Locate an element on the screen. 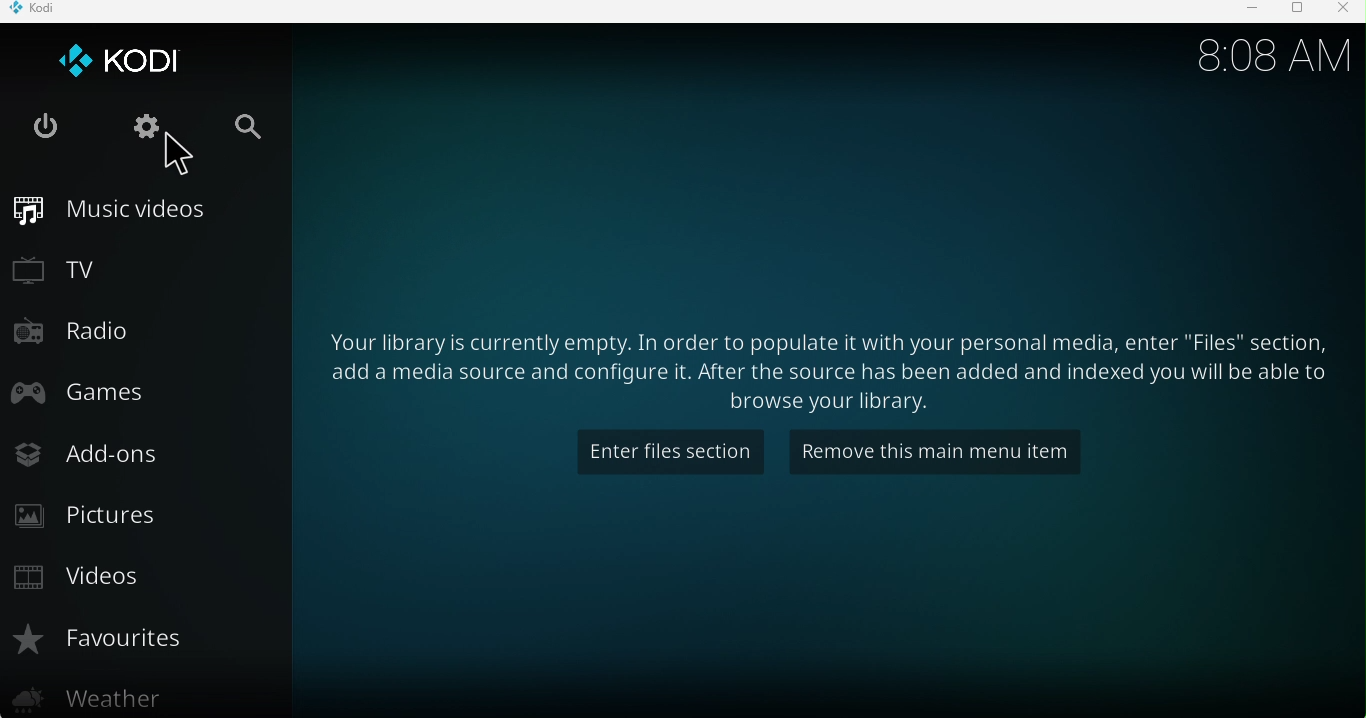 The width and height of the screenshot is (1366, 718). Minimize is located at coordinates (1243, 11).